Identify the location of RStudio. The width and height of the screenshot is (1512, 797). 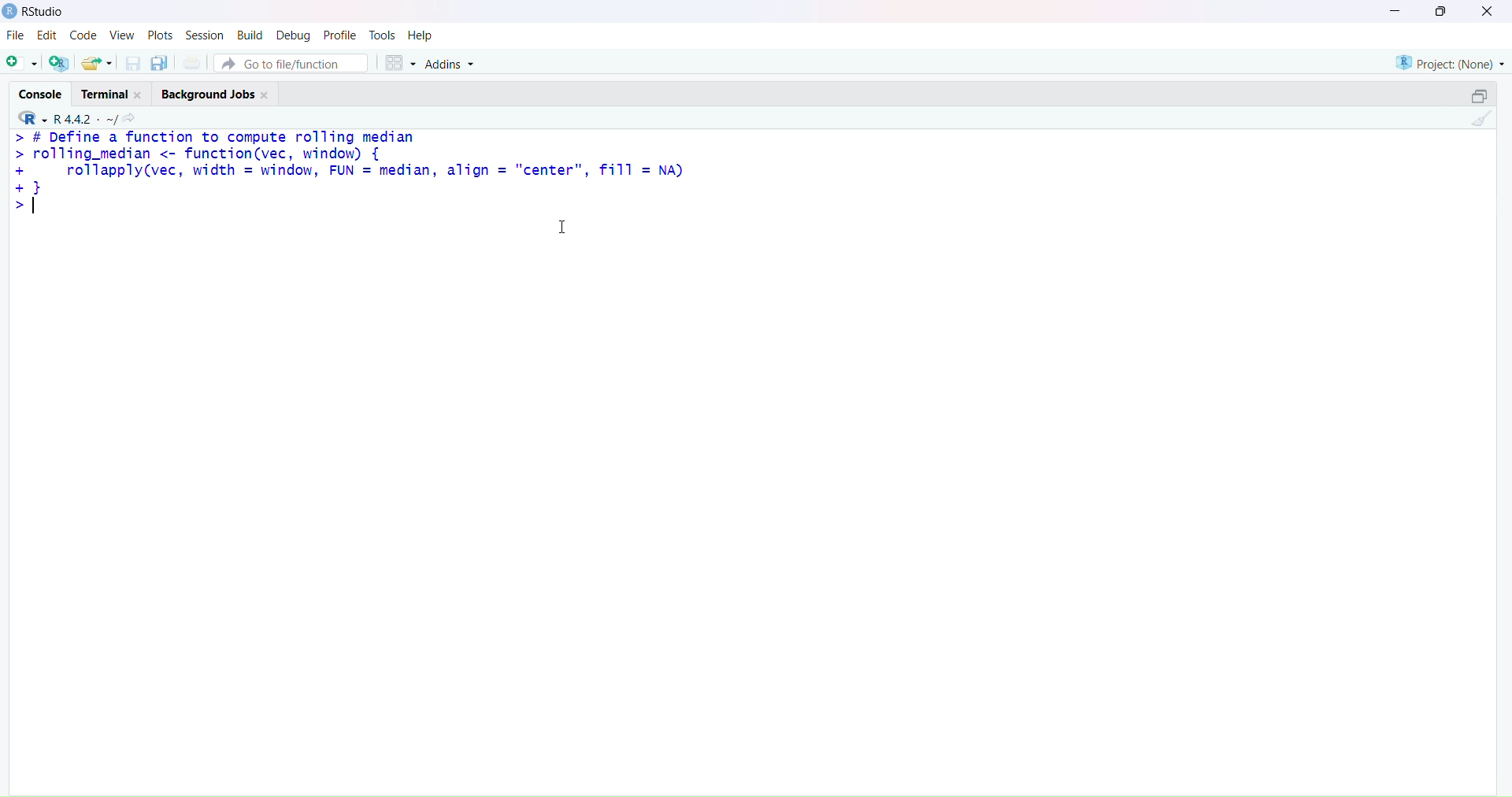
(46, 12).